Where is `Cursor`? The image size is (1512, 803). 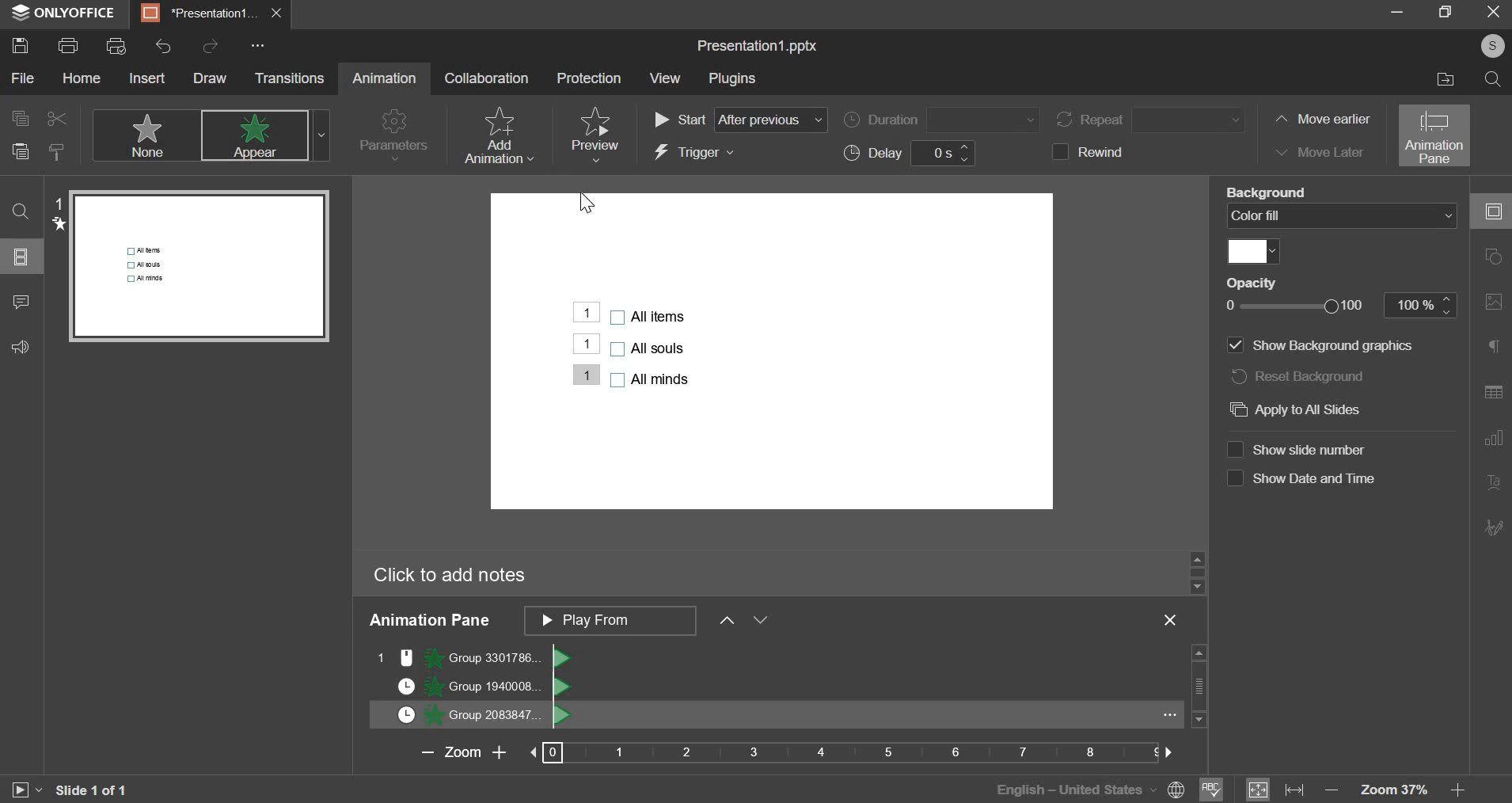 Cursor is located at coordinates (585, 205).